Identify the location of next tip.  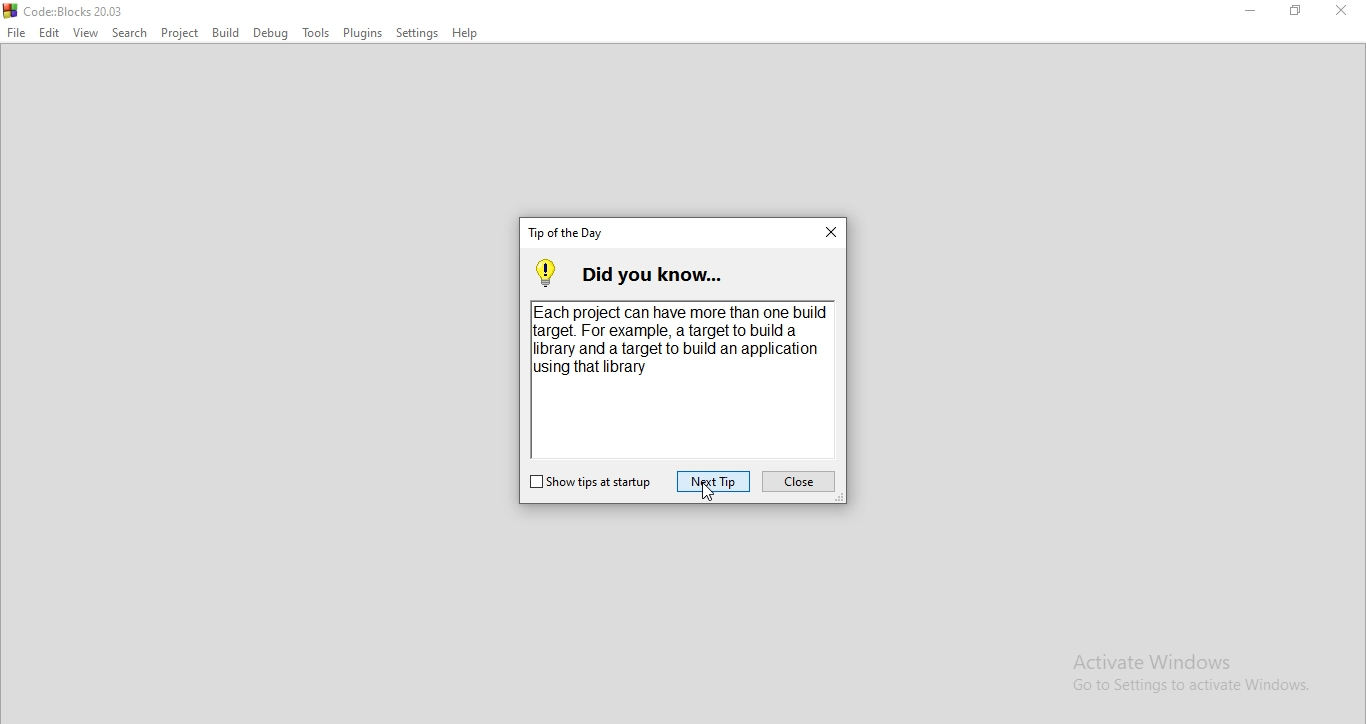
(713, 481).